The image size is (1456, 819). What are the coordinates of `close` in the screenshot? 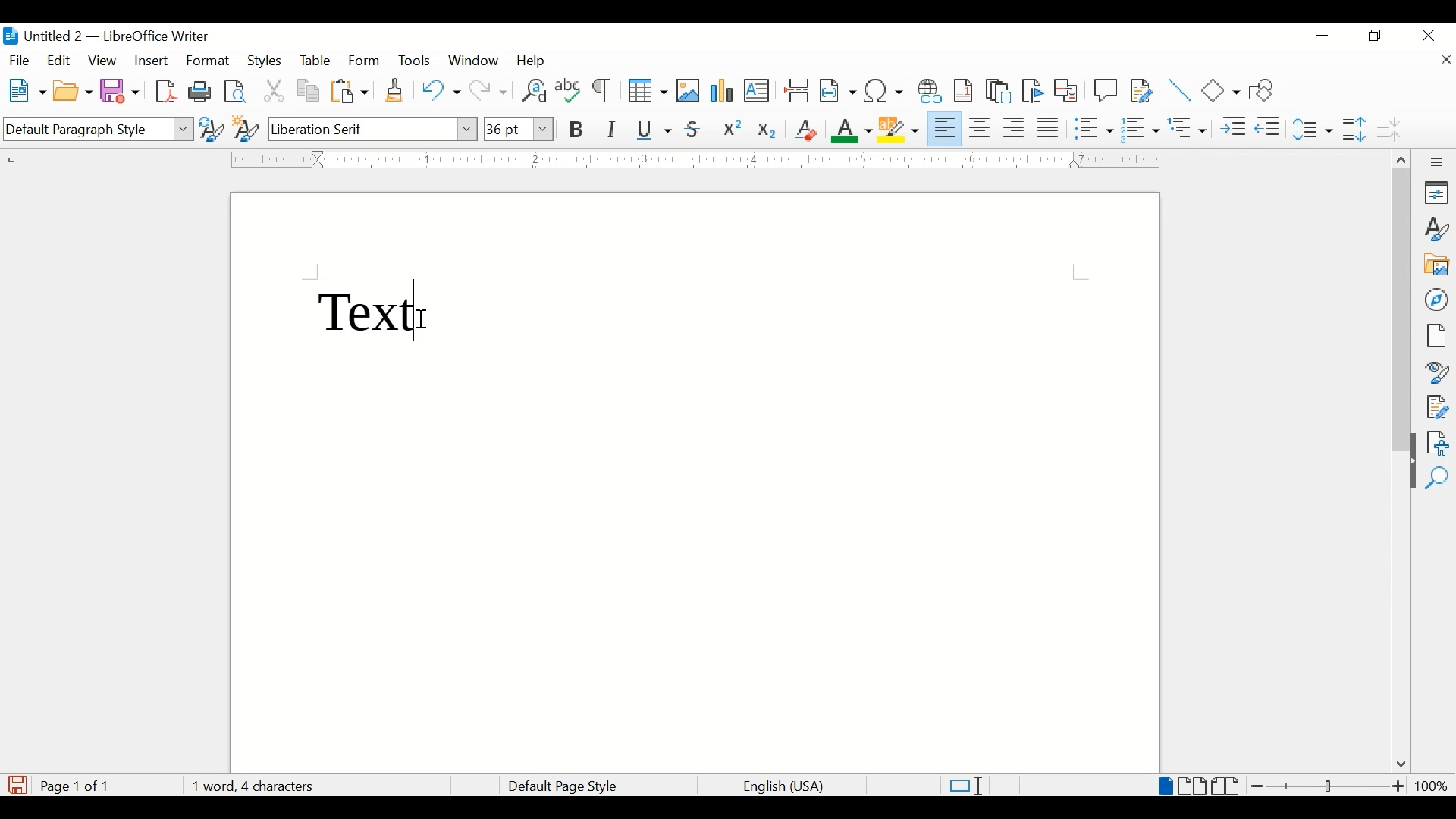 It's located at (1445, 61).